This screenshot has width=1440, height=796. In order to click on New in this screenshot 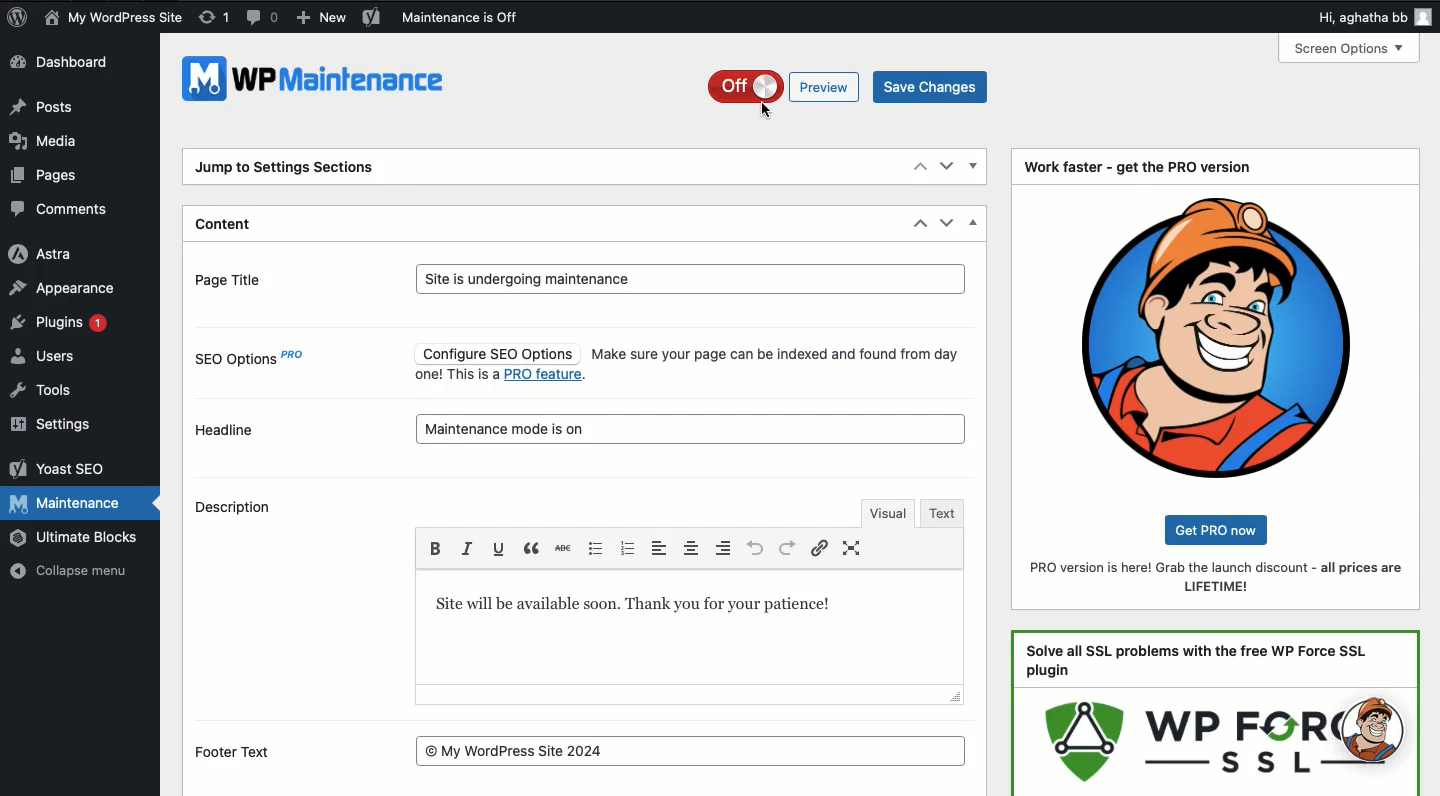, I will do `click(322, 18)`.